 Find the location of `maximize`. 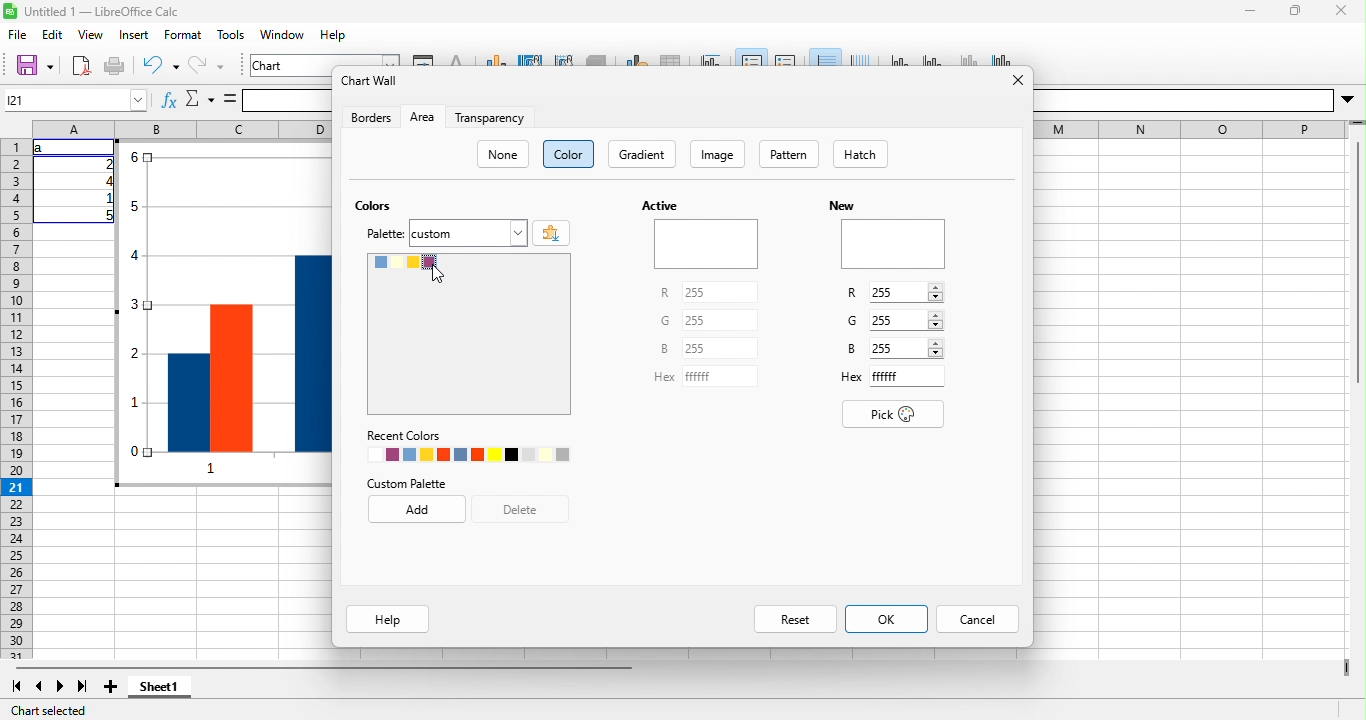

maximize is located at coordinates (1296, 11).